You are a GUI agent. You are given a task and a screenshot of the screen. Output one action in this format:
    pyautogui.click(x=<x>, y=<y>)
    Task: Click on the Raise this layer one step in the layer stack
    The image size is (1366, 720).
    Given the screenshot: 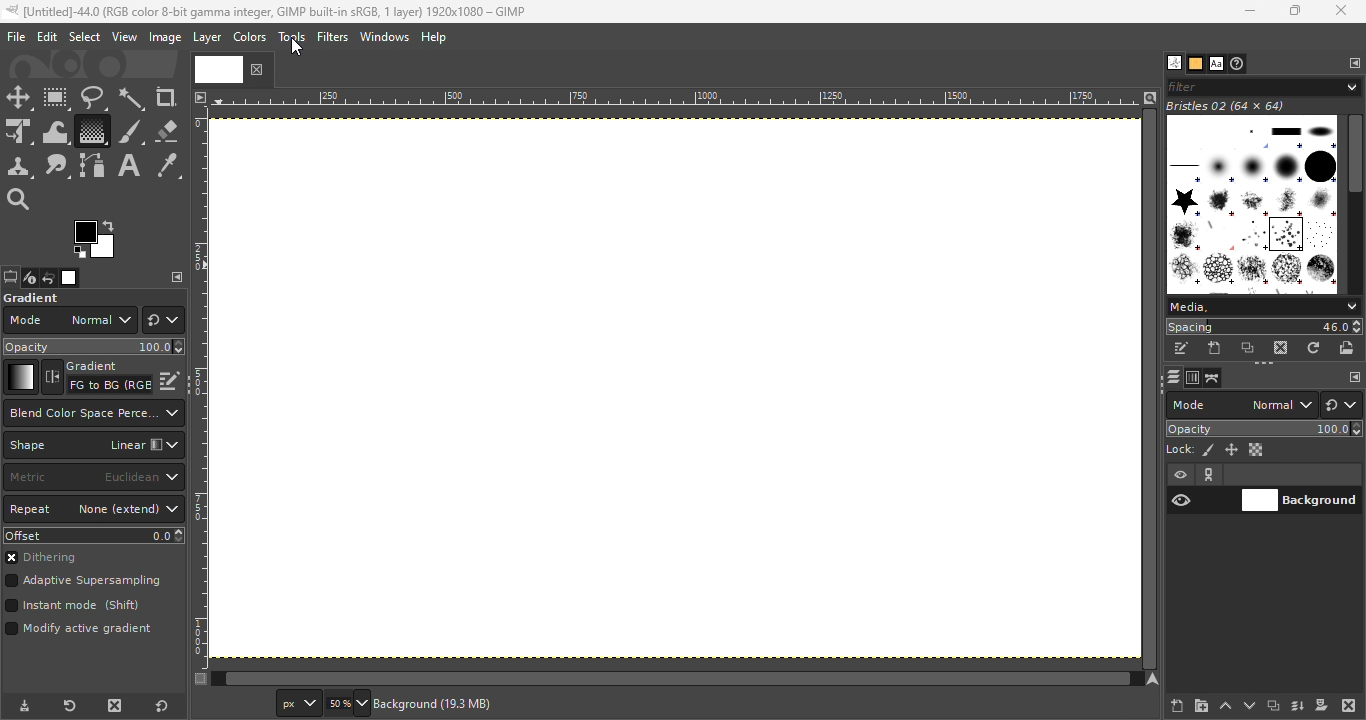 What is the action you would take?
    pyautogui.click(x=1226, y=706)
    